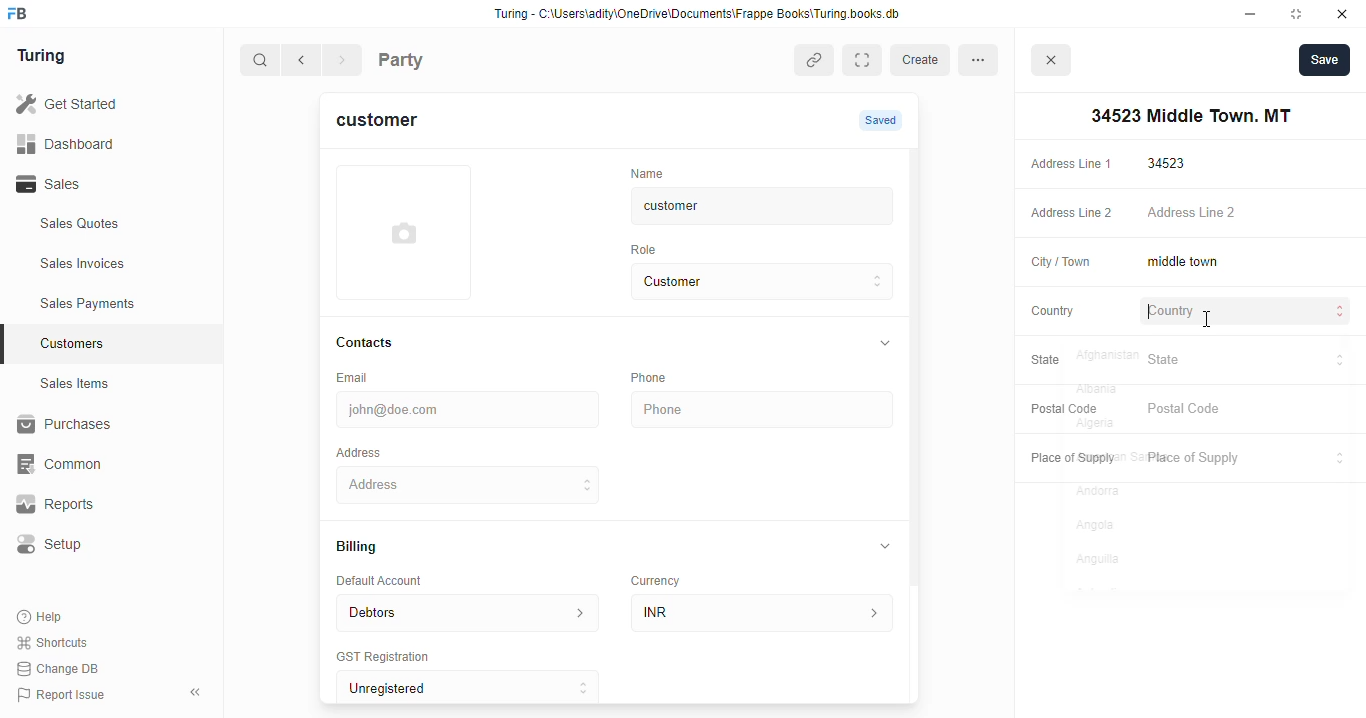  I want to click on Expand, so click(866, 60).